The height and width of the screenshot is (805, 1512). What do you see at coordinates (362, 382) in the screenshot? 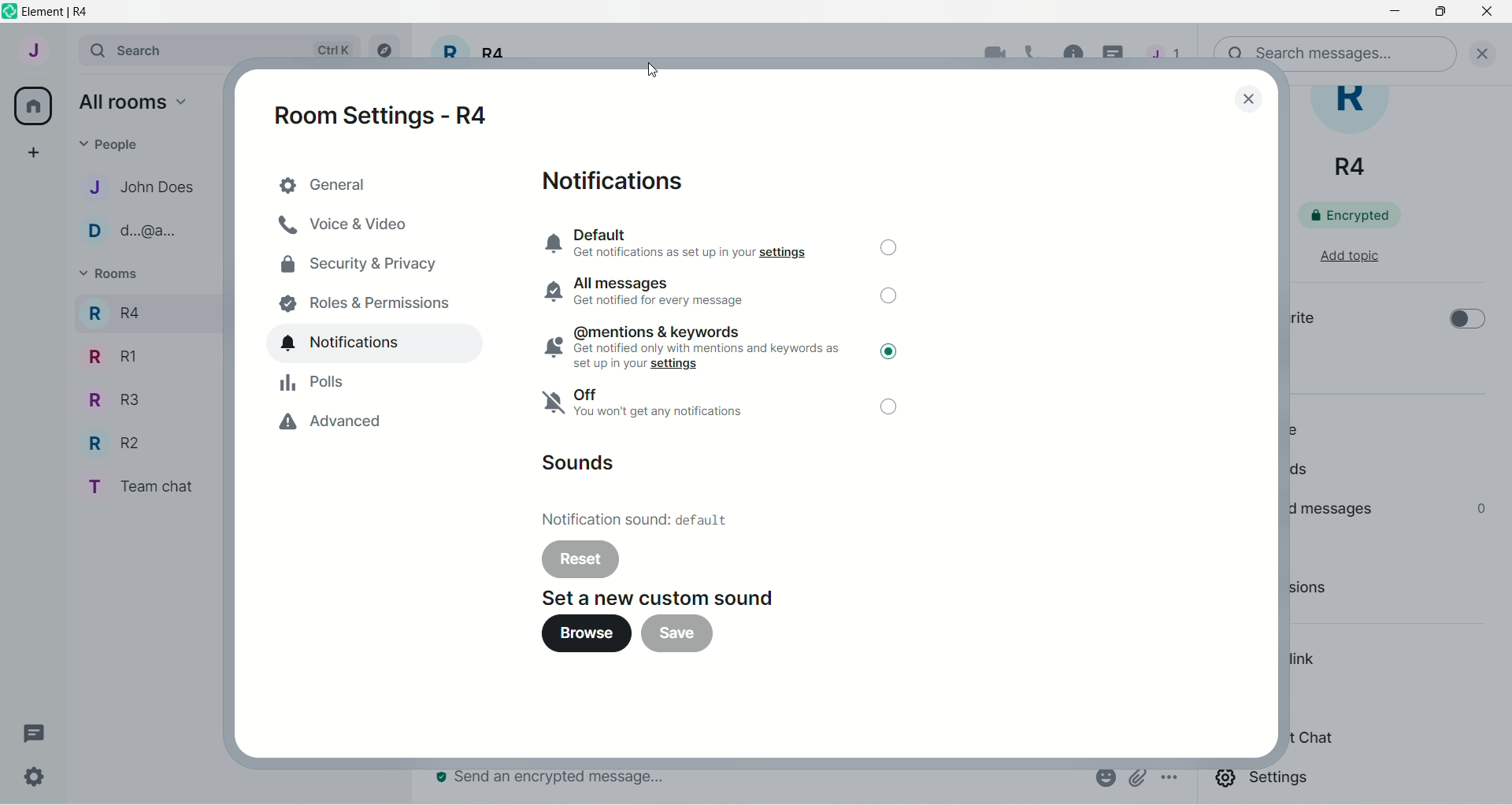
I see `Polls` at bounding box center [362, 382].